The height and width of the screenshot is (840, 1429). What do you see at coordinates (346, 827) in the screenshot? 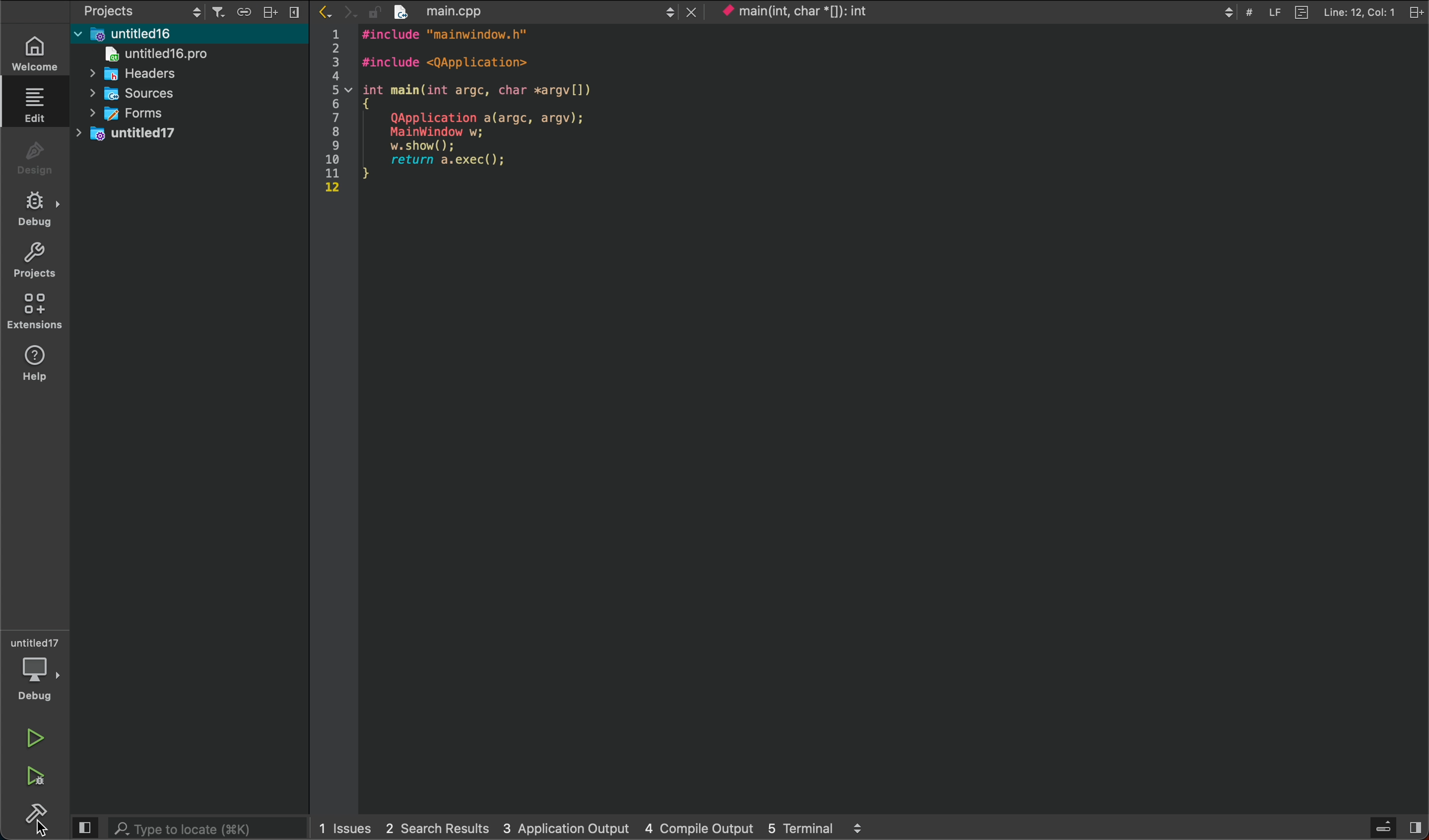
I see `Issues` at bounding box center [346, 827].